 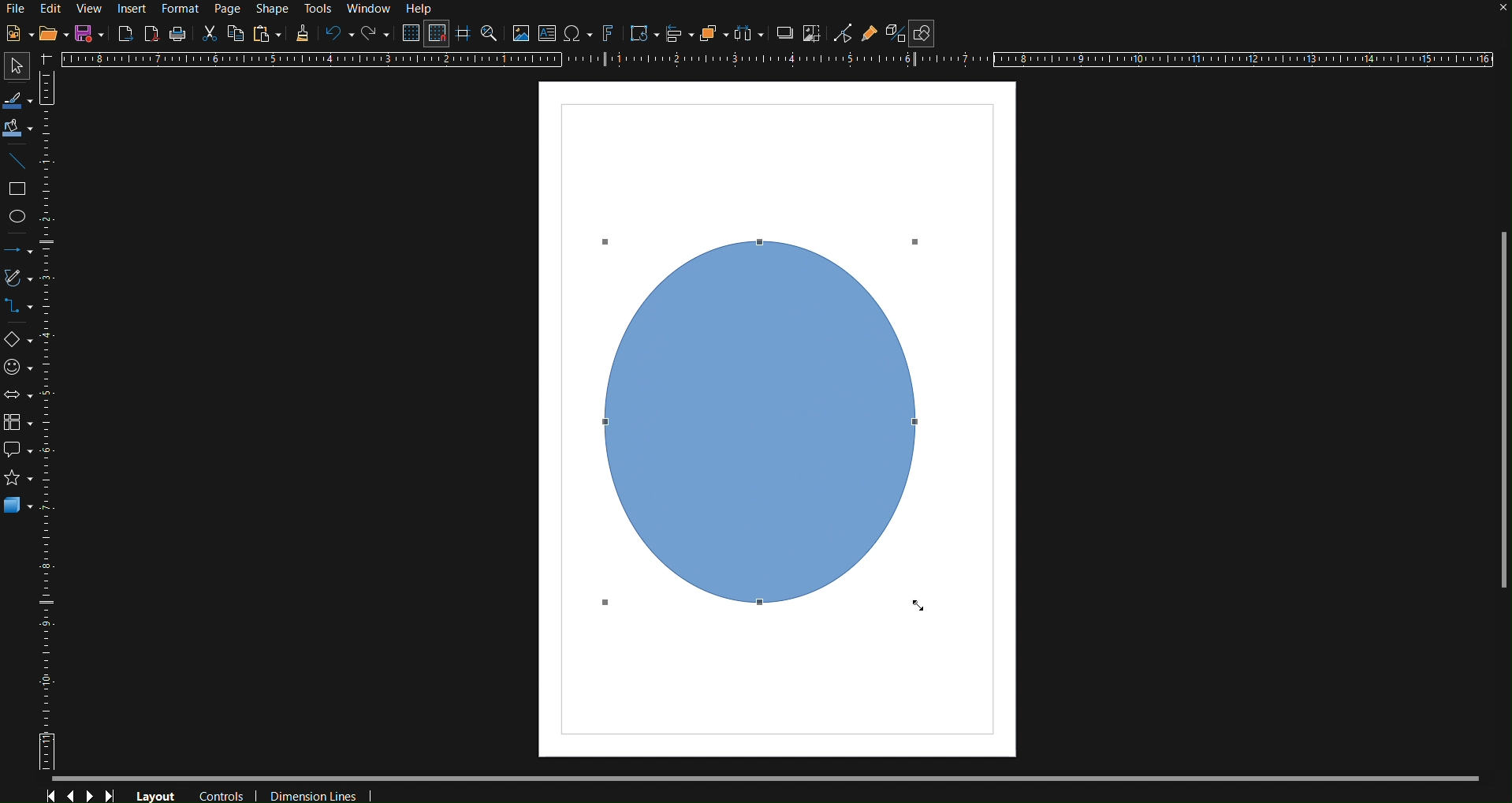 I want to click on Arrange, so click(x=713, y=35).